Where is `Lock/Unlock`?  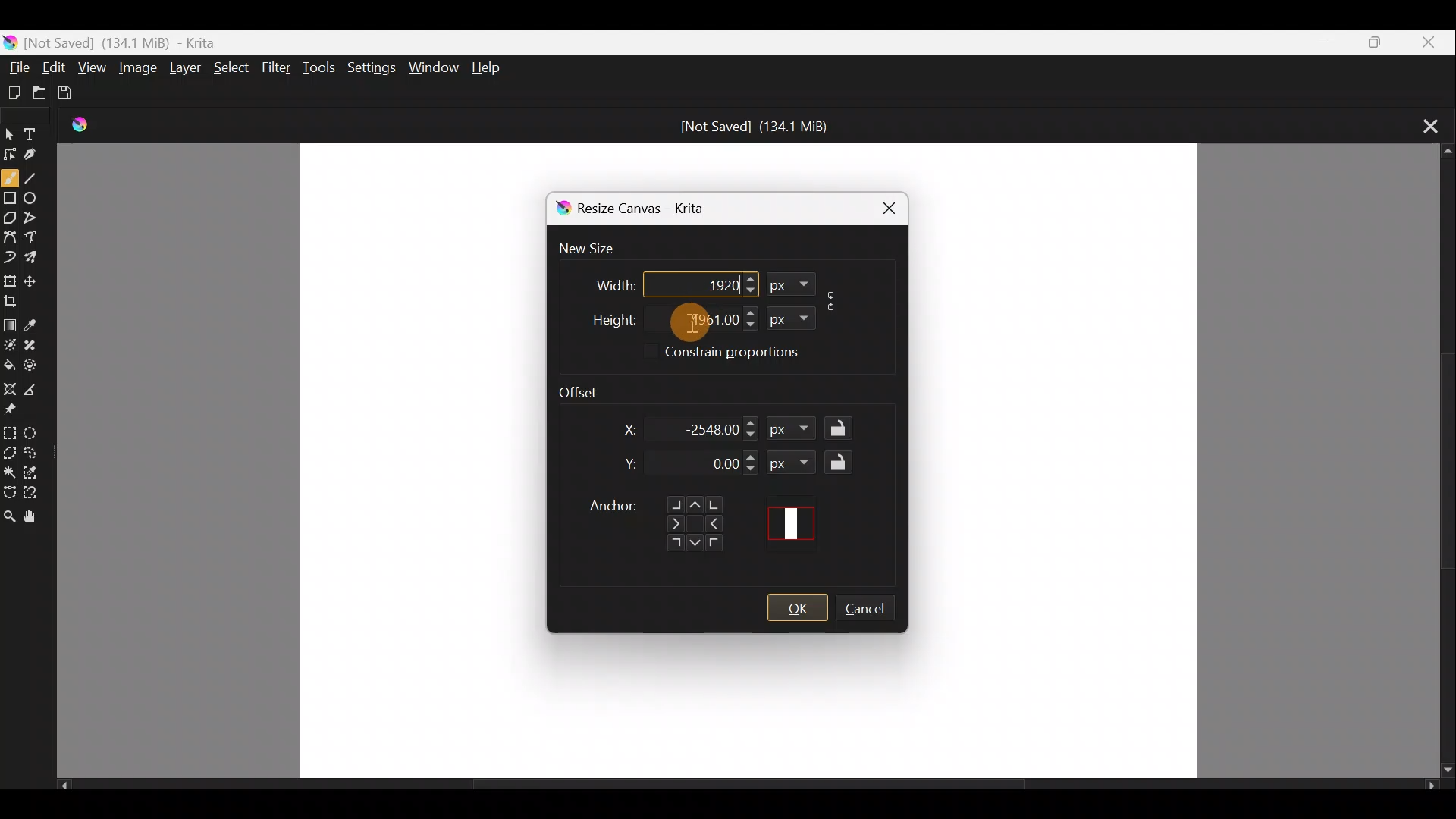 Lock/Unlock is located at coordinates (843, 429).